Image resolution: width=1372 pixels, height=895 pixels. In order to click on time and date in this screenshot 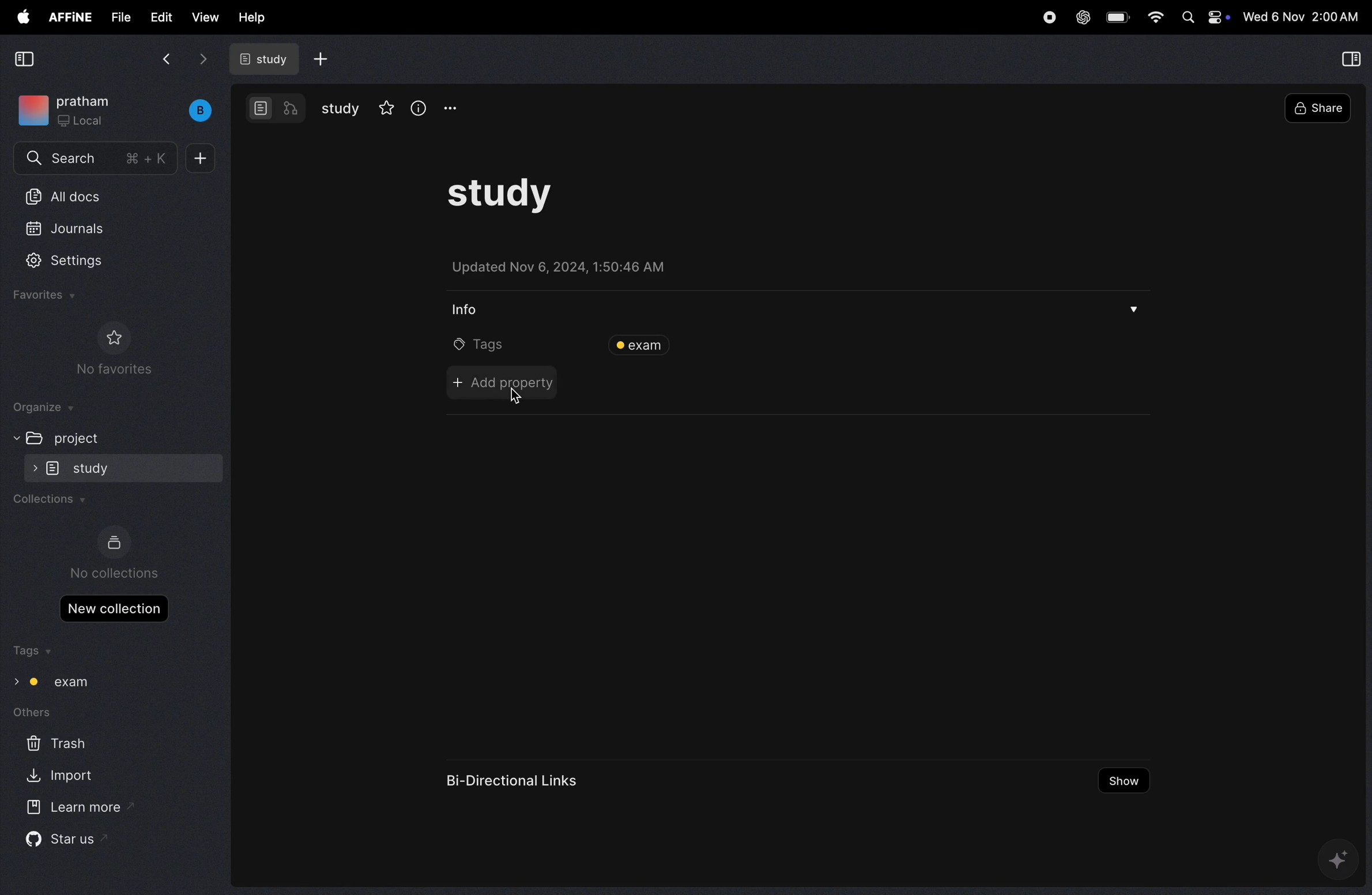, I will do `click(1301, 18)`.